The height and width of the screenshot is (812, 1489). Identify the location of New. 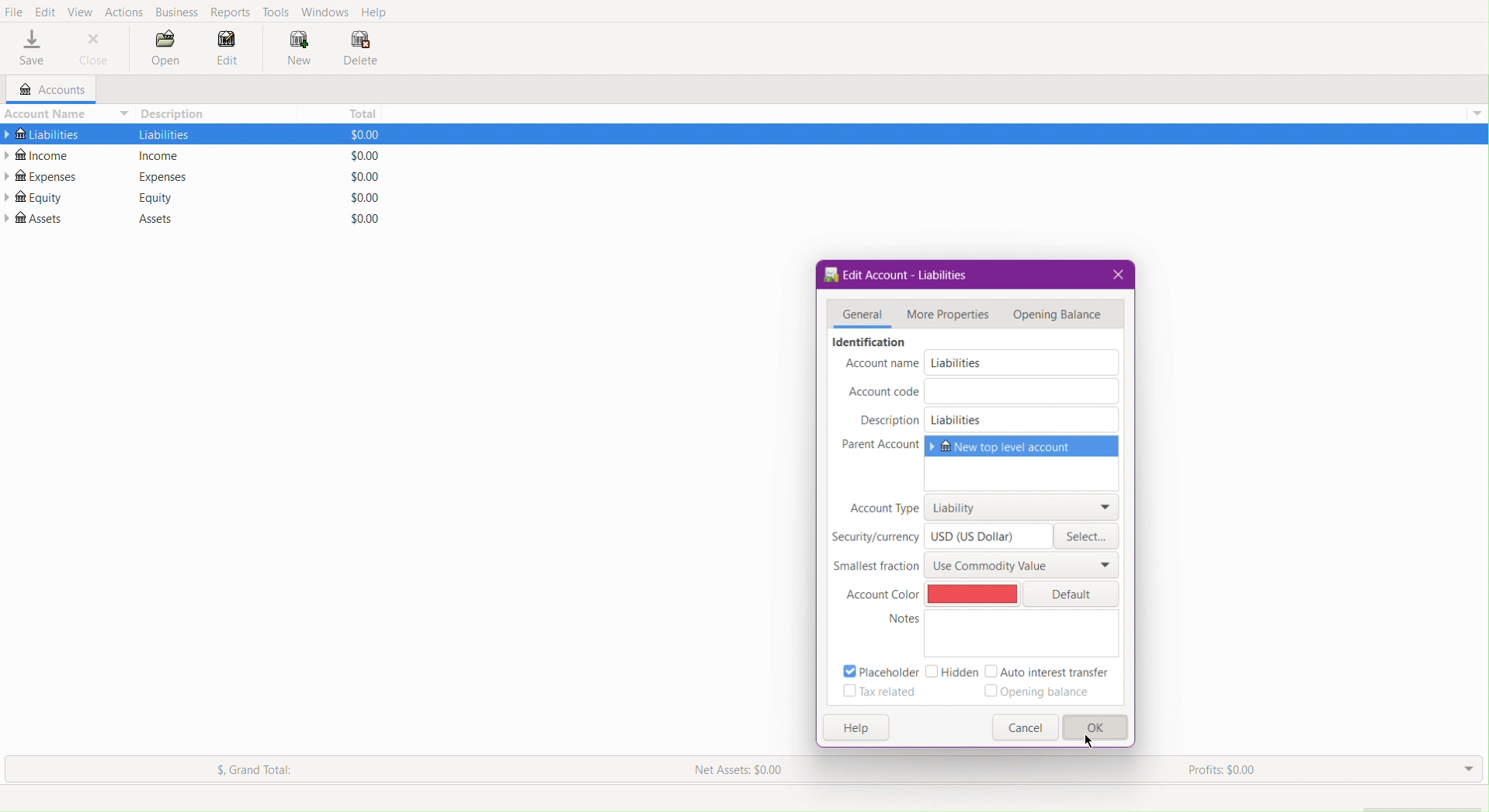
(292, 48).